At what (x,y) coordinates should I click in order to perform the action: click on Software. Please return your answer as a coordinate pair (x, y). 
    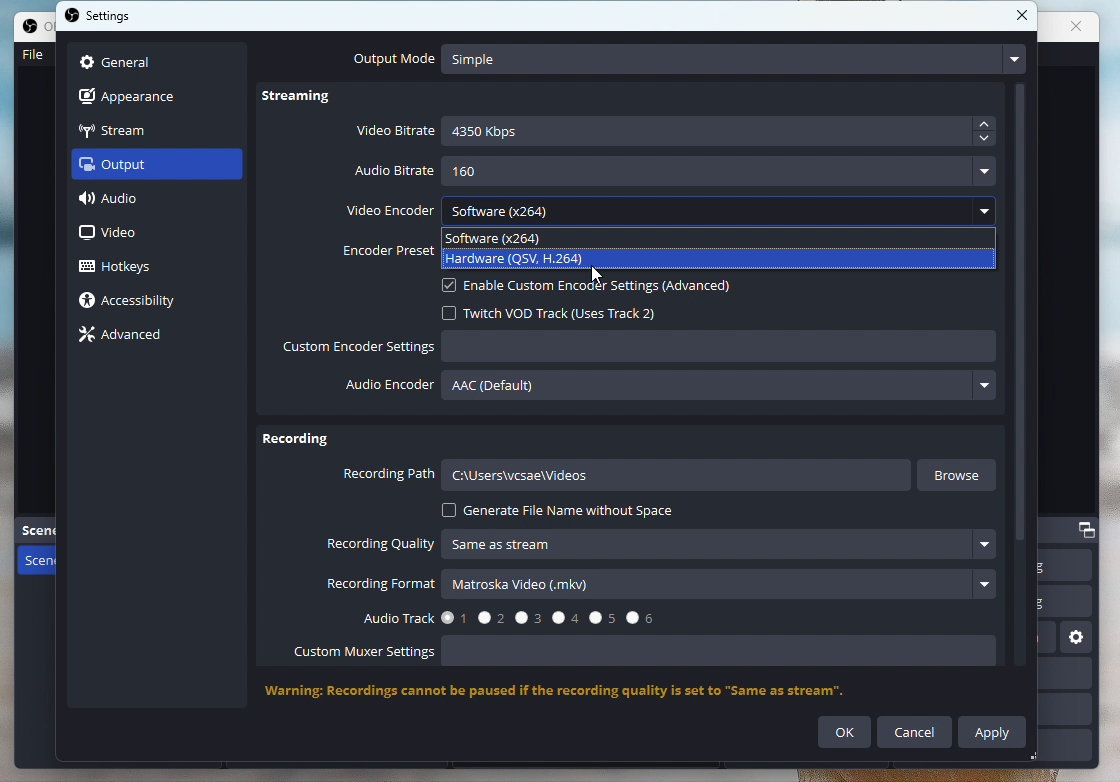
    Looking at the image, I should click on (500, 237).